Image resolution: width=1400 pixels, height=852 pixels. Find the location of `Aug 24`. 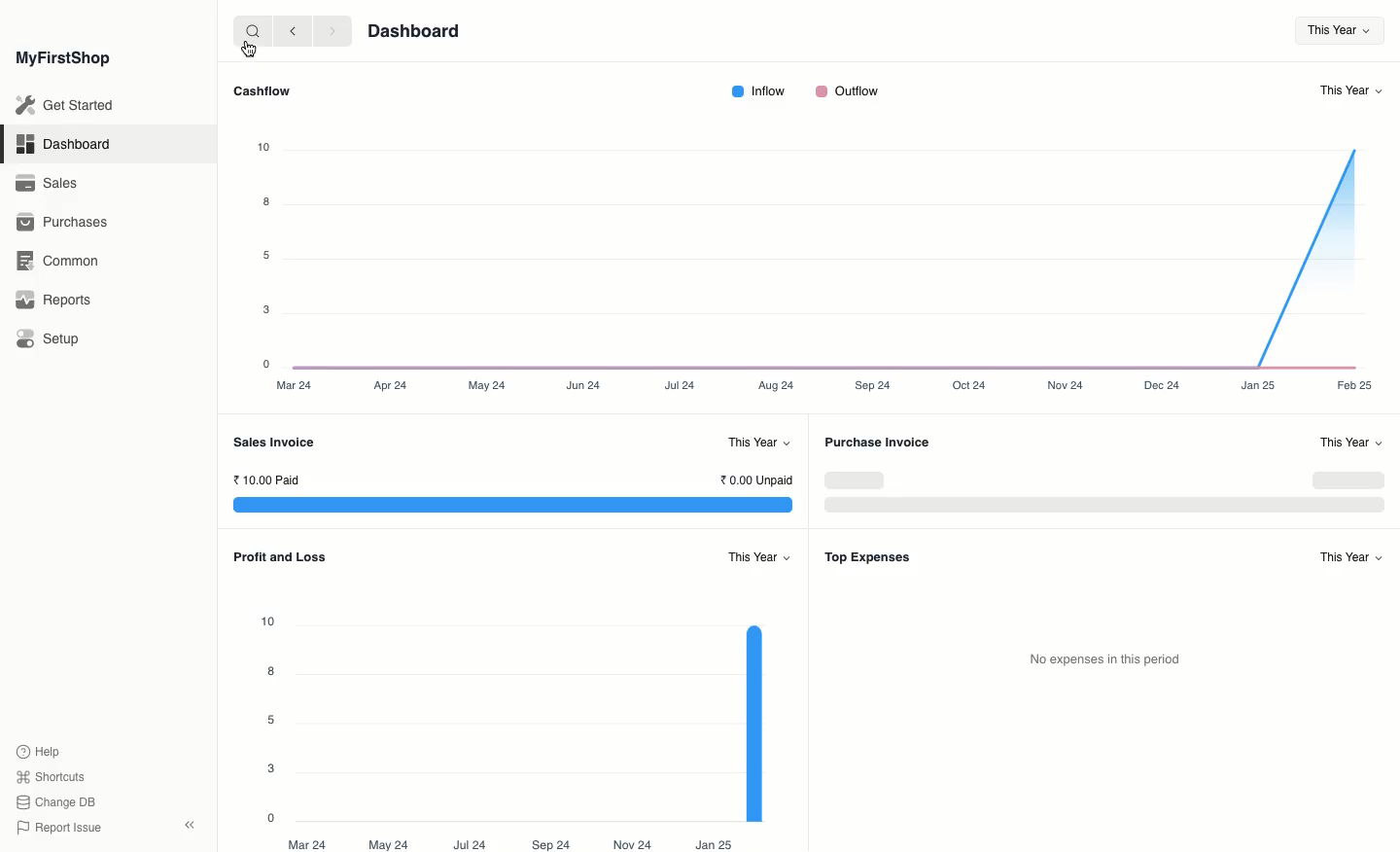

Aug 24 is located at coordinates (777, 385).